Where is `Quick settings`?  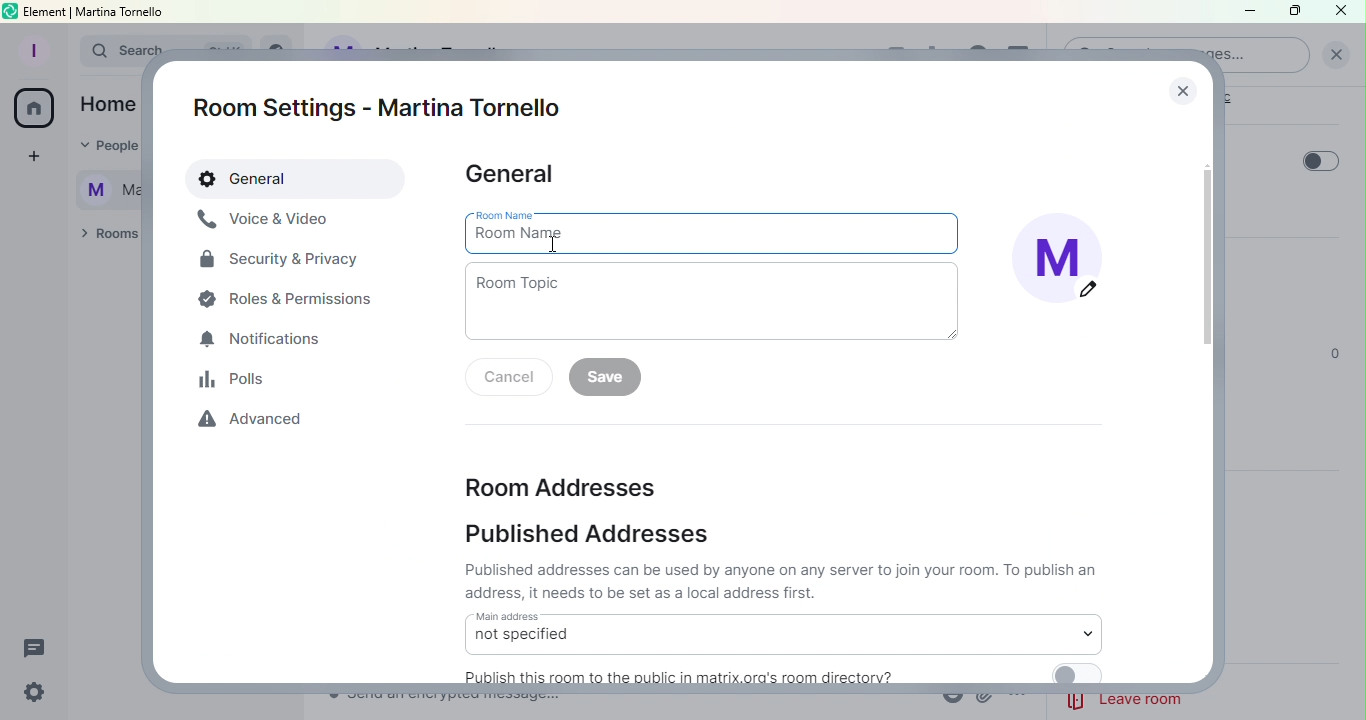
Quick settings is located at coordinates (31, 694).